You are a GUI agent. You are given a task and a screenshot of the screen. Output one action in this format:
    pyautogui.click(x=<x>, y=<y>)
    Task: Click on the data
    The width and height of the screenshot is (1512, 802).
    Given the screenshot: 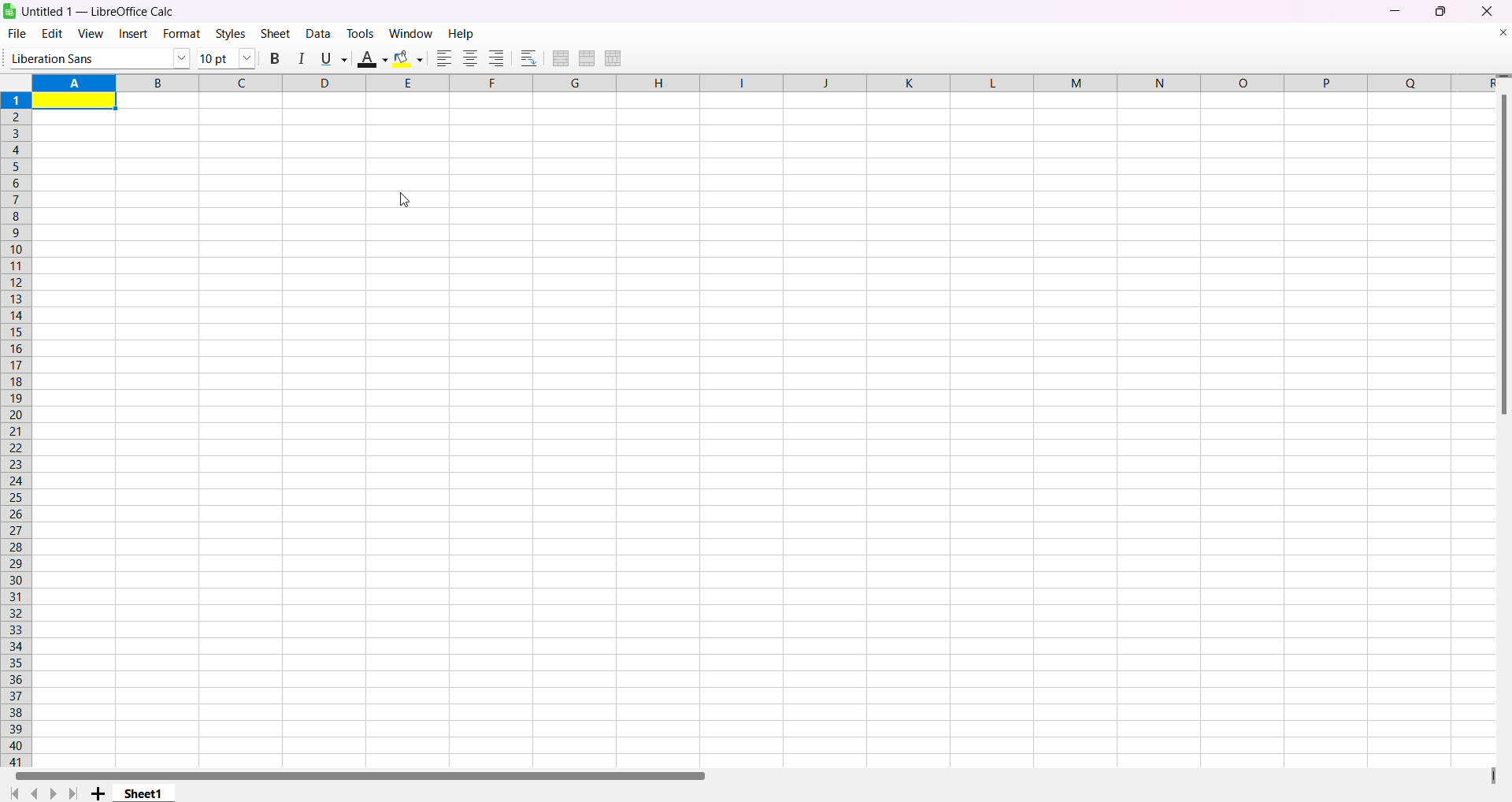 What is the action you would take?
    pyautogui.click(x=319, y=35)
    